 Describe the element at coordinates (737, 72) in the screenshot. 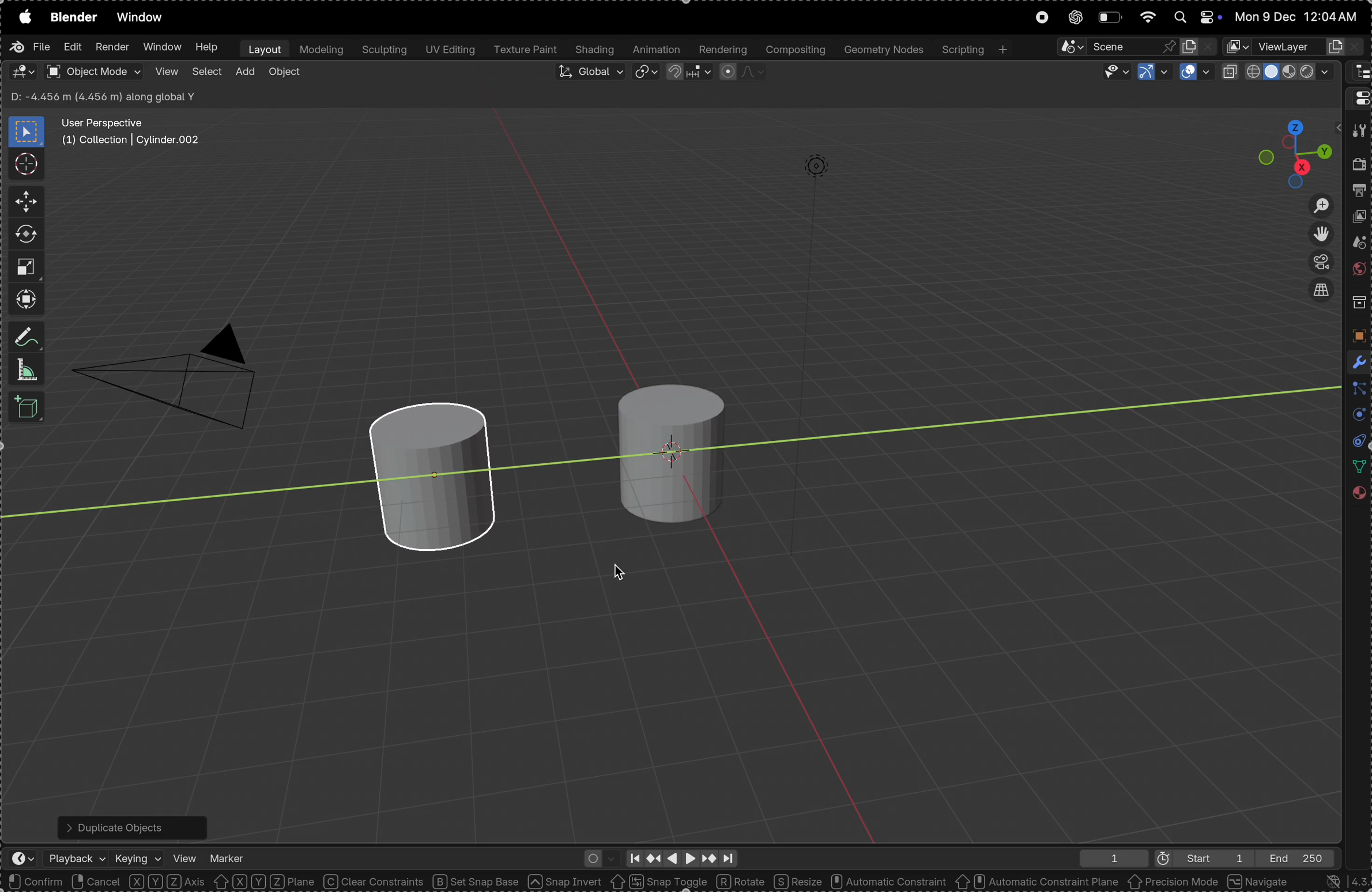

I see `proportinall falling objects` at that location.